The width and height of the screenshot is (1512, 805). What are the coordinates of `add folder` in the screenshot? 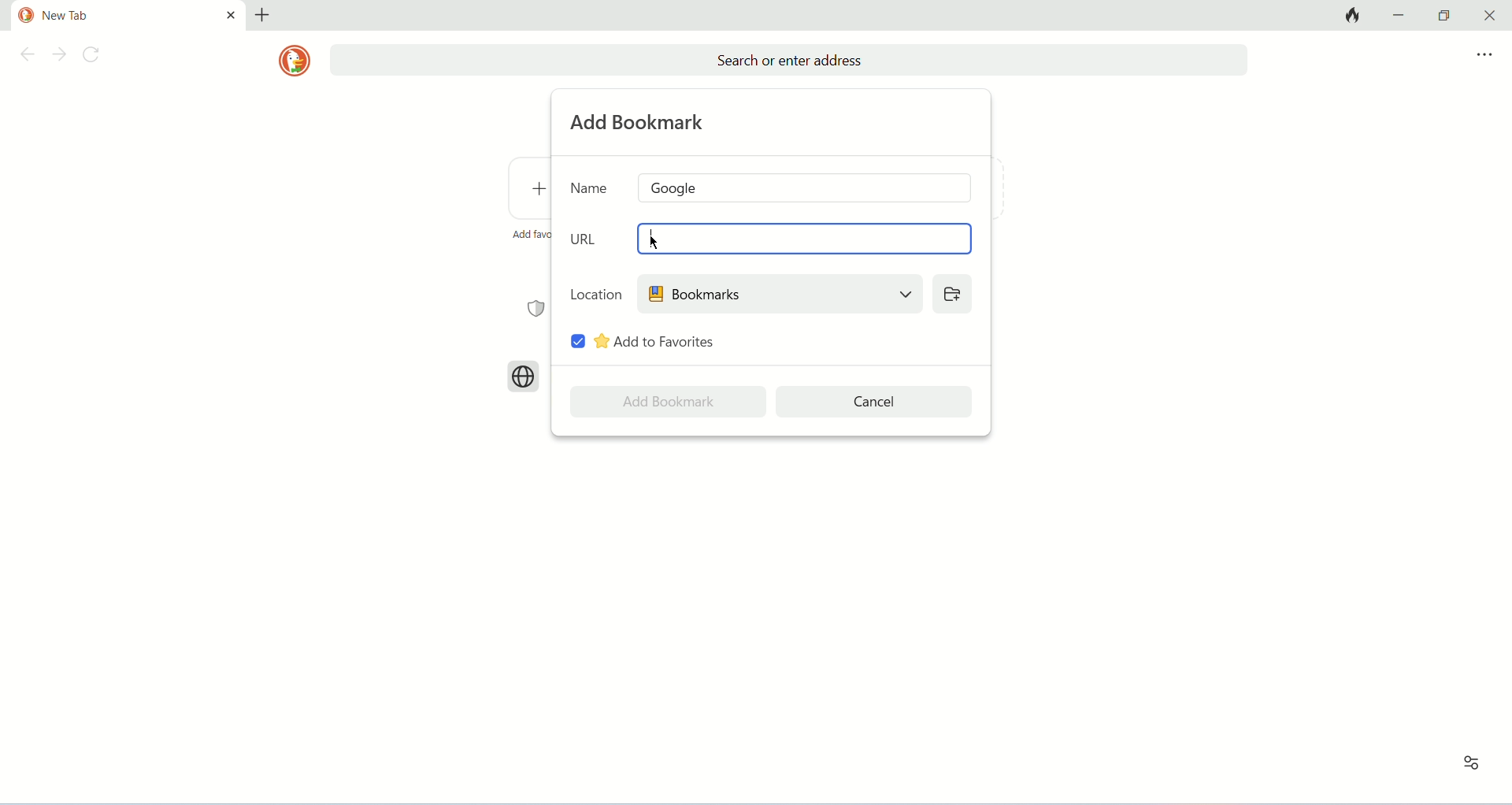 It's located at (951, 293).